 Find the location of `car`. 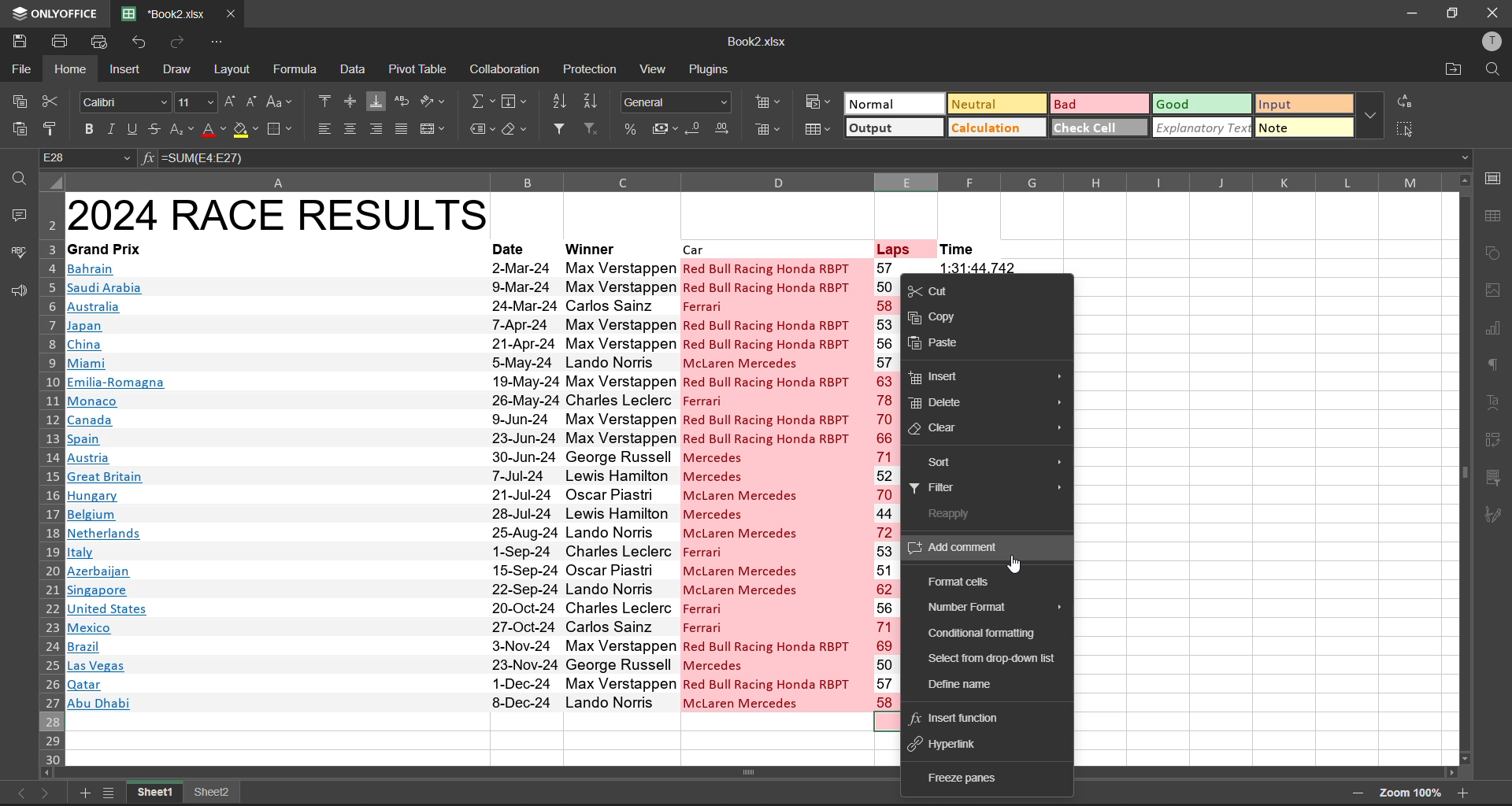

car is located at coordinates (699, 248).